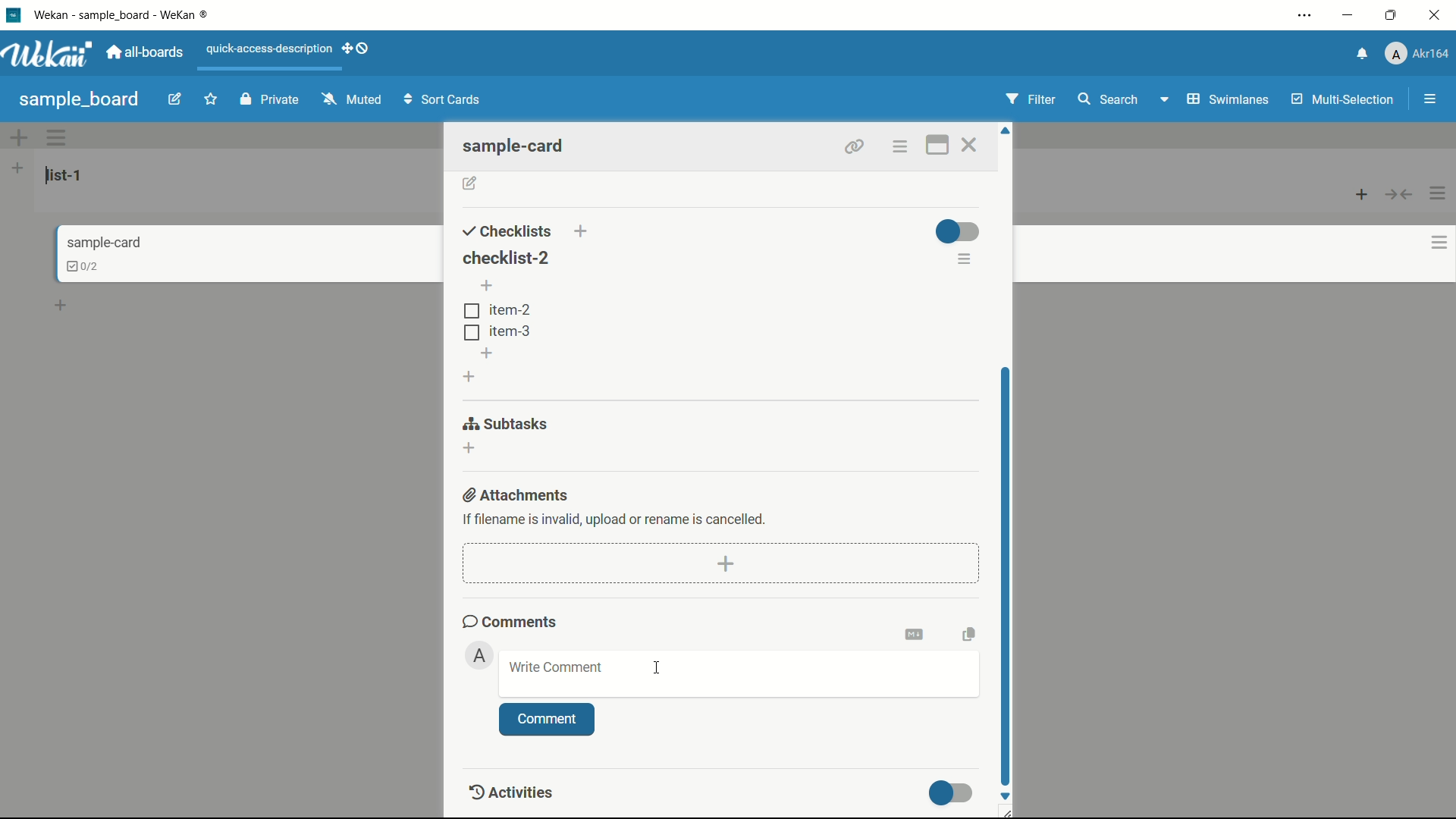 This screenshot has width=1456, height=819. I want to click on swimlane actions, so click(58, 138).